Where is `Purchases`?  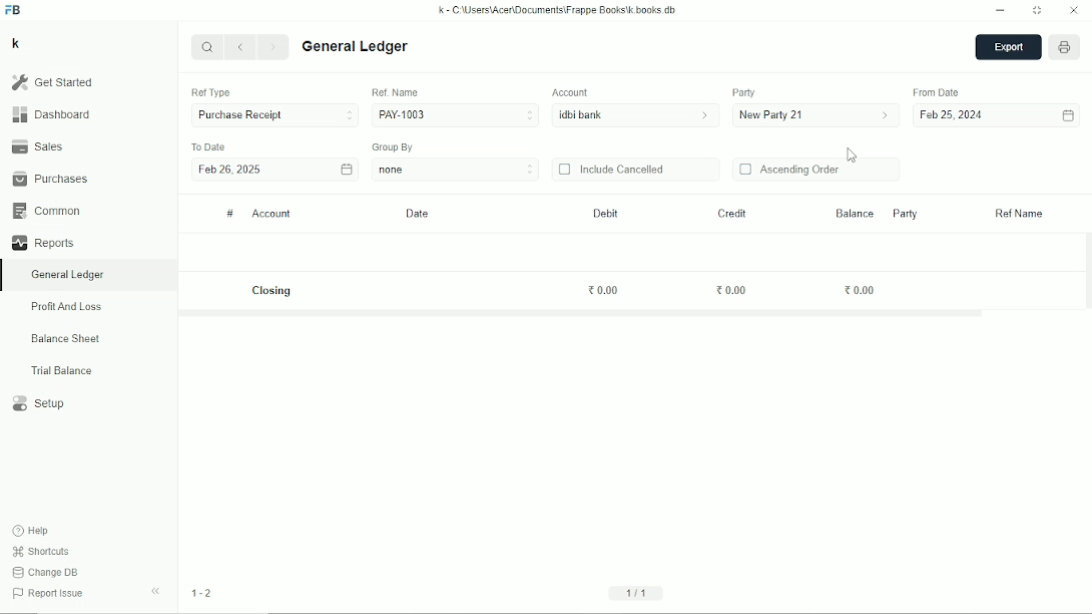
Purchases is located at coordinates (50, 178).